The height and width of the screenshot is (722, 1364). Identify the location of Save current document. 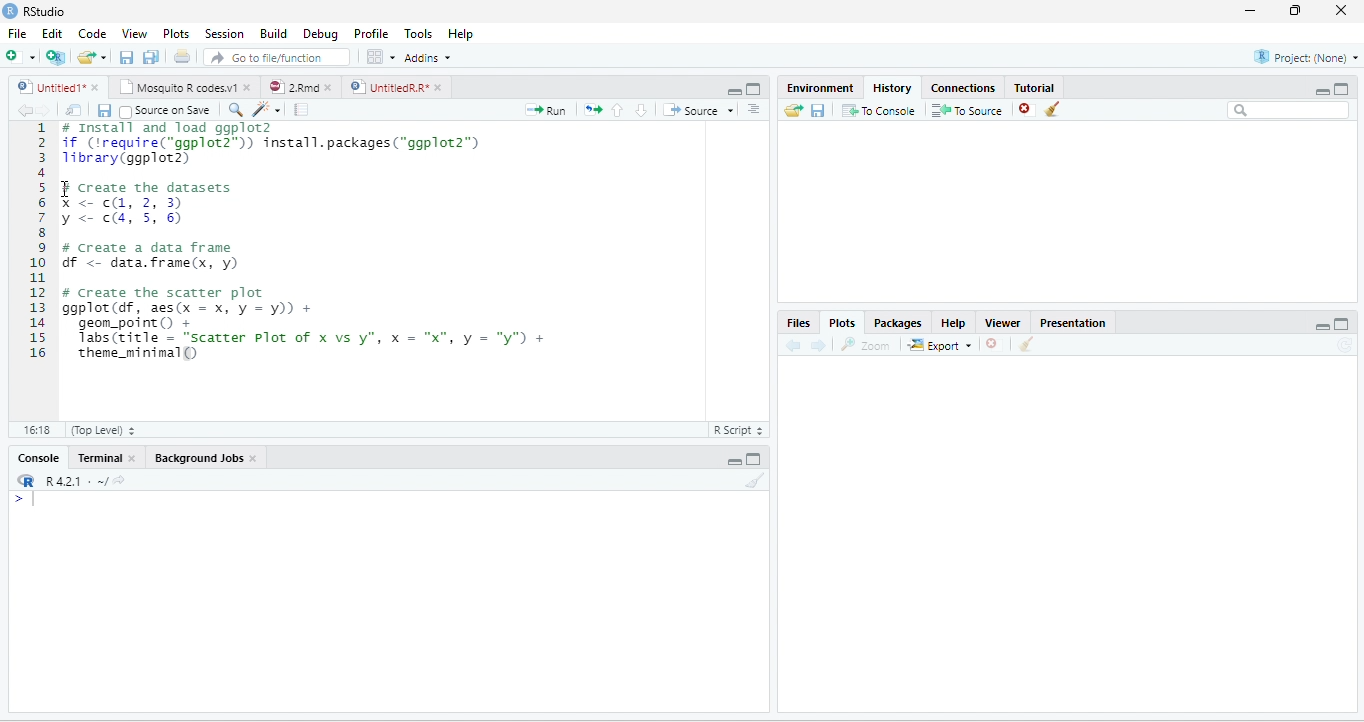
(127, 56).